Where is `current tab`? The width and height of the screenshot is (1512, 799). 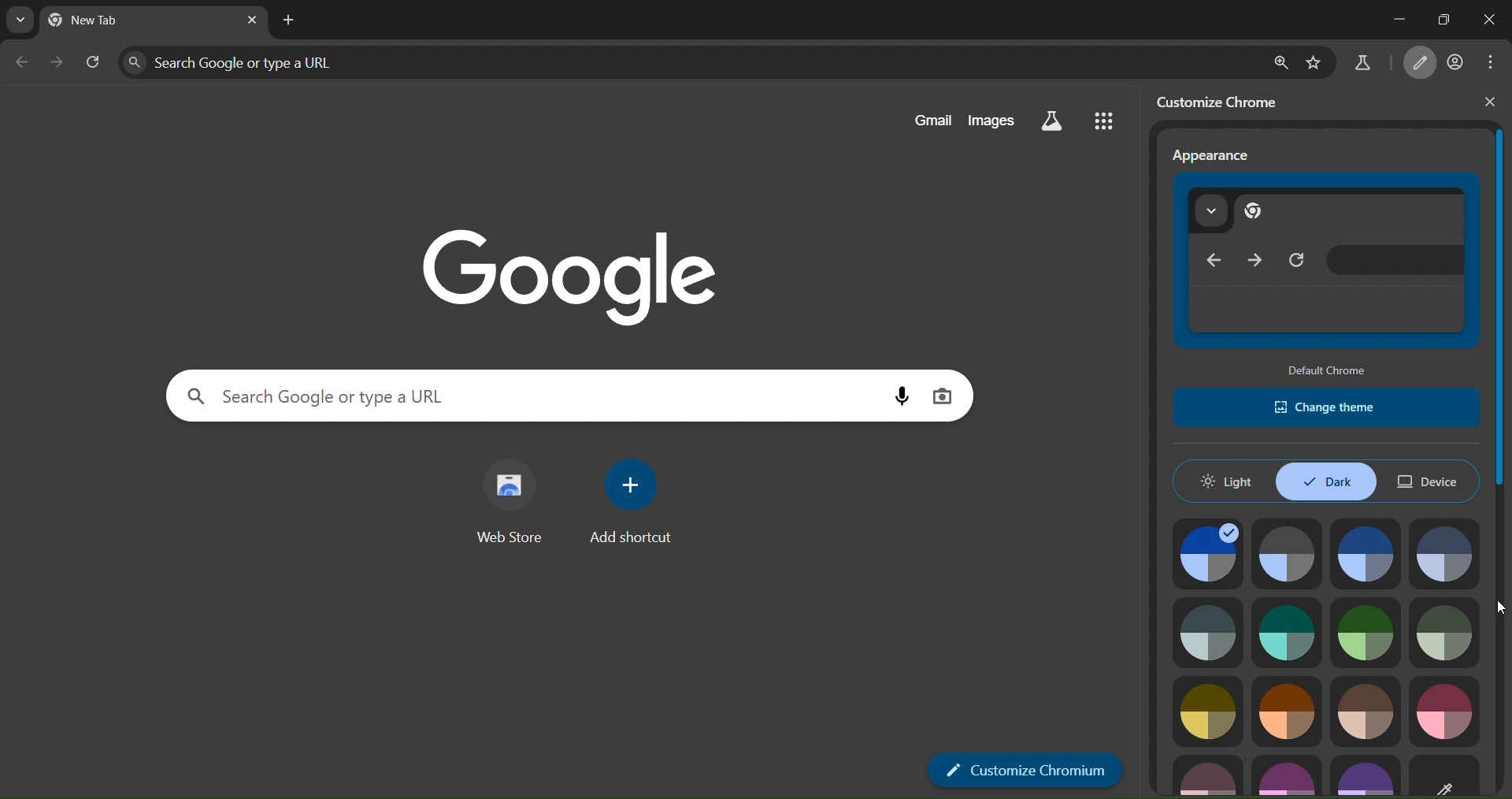 current tab is located at coordinates (109, 22).